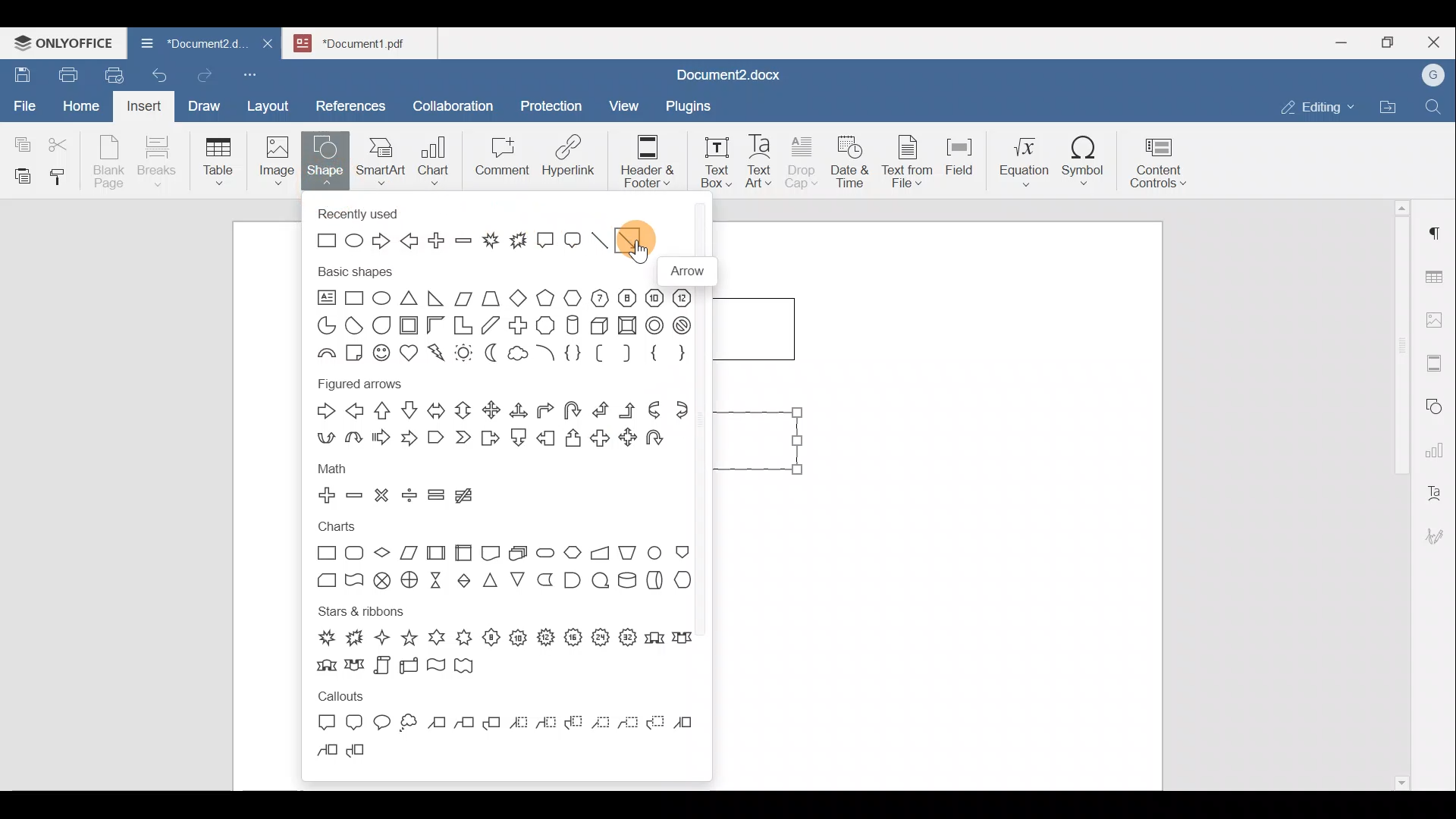 The image size is (1456, 819). I want to click on Table, so click(219, 158).